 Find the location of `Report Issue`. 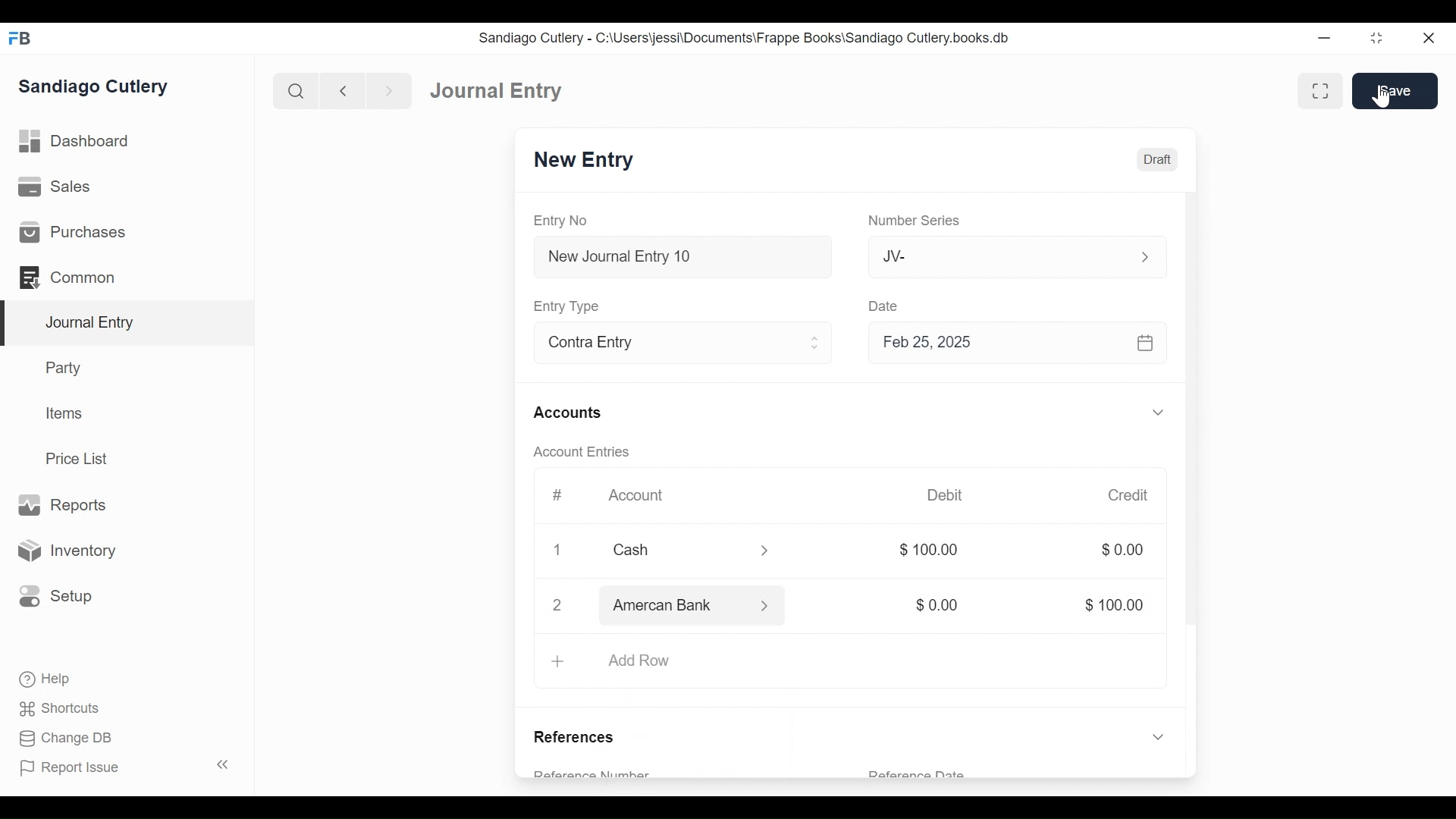

Report Issue is located at coordinates (124, 767).